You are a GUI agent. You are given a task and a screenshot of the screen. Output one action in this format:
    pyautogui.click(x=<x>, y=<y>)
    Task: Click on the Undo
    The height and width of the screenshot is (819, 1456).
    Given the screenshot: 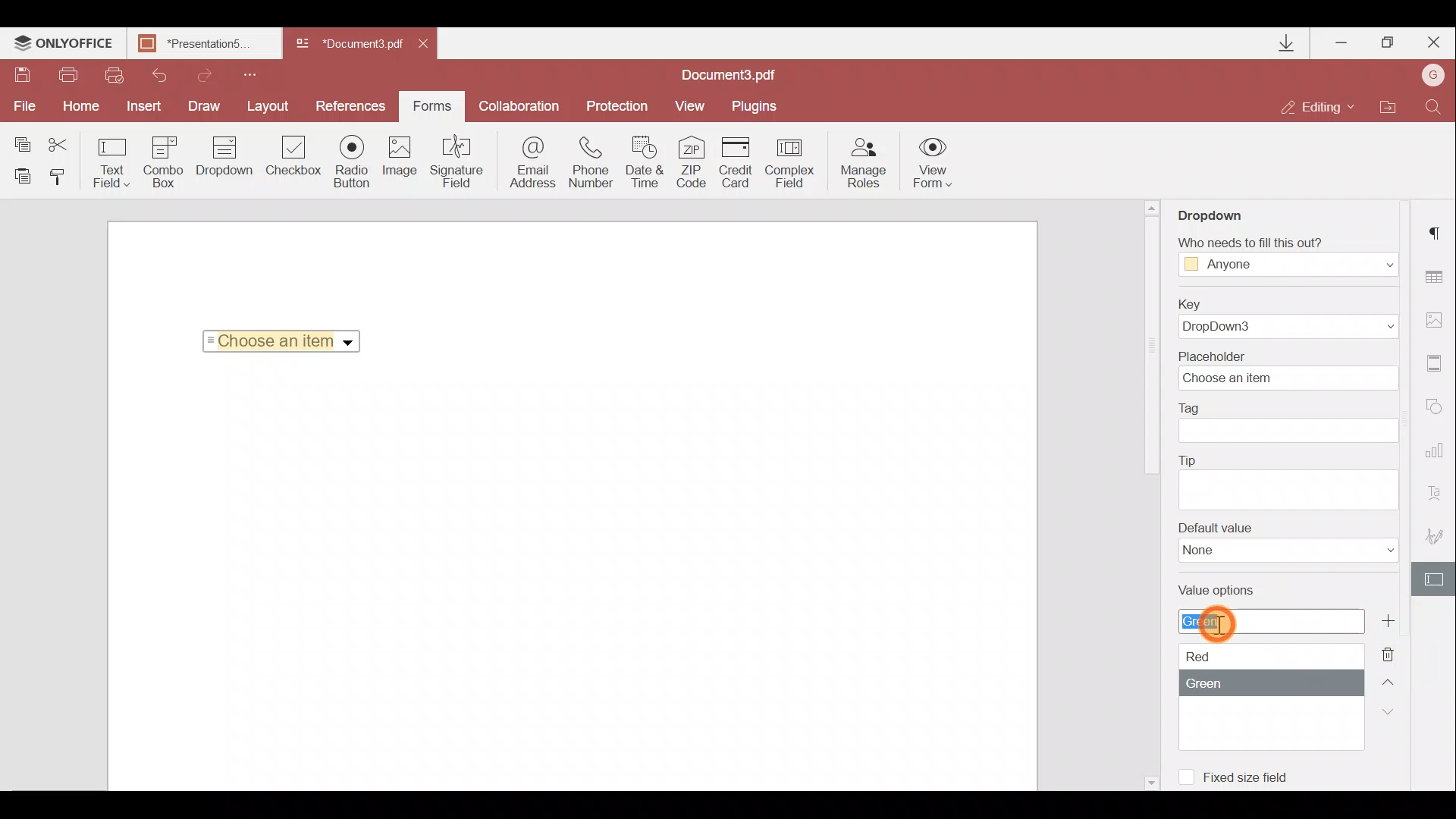 What is the action you would take?
    pyautogui.click(x=158, y=76)
    